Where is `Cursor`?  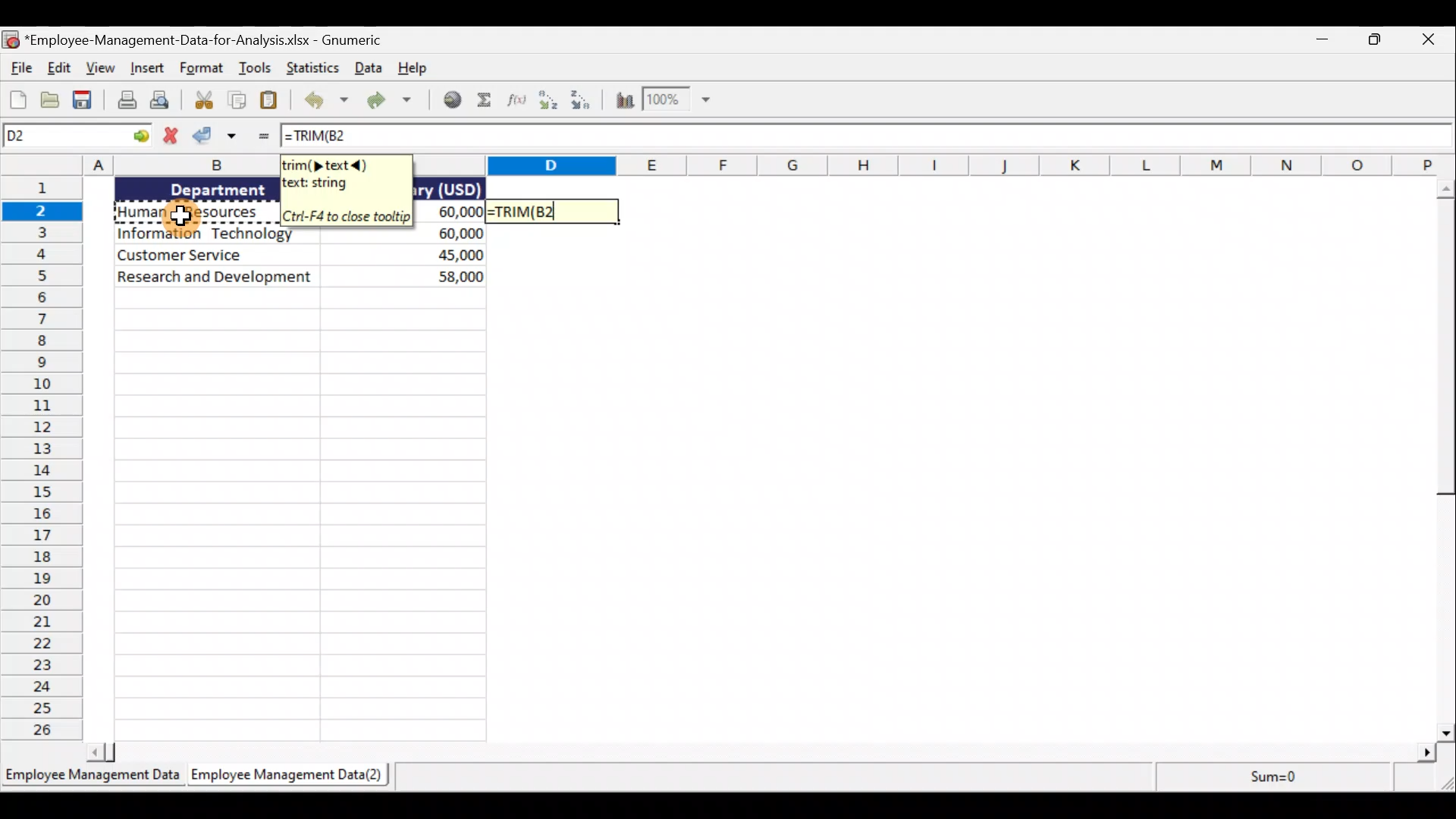 Cursor is located at coordinates (184, 218).